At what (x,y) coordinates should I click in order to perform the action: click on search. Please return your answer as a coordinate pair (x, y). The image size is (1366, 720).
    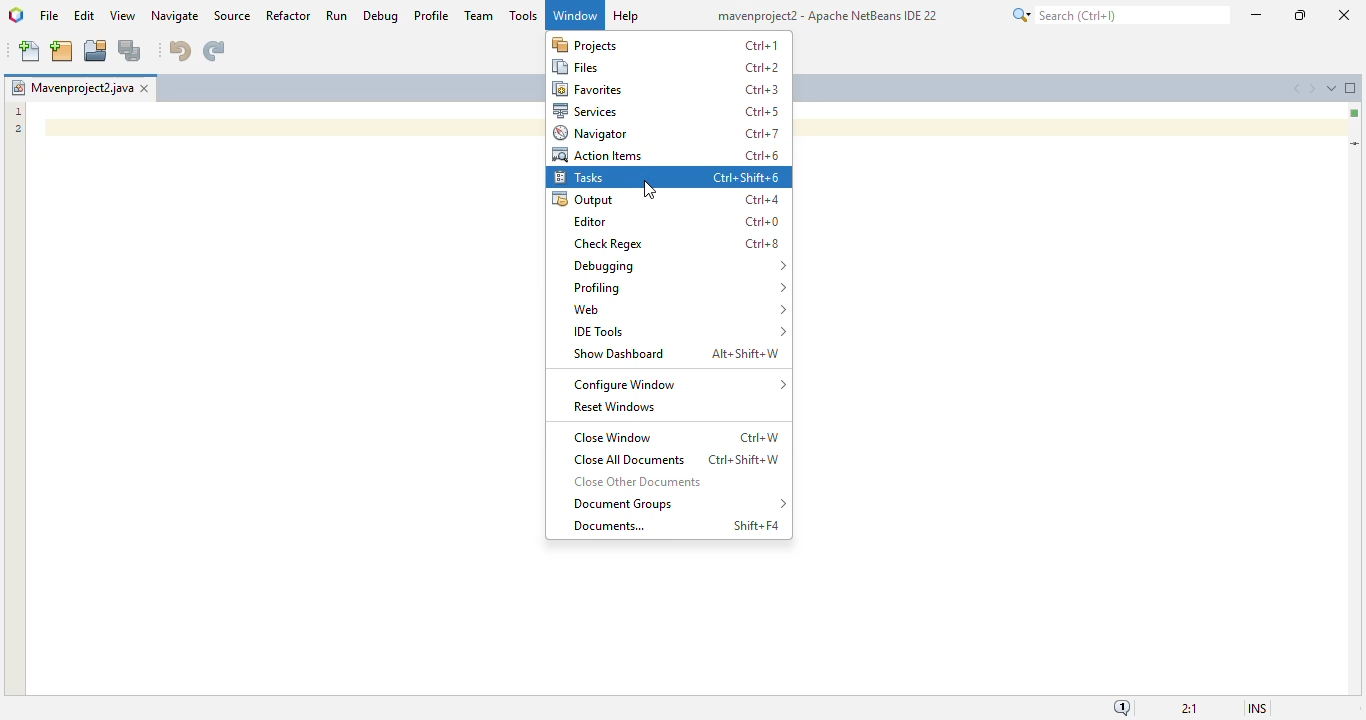
    Looking at the image, I should click on (1118, 15).